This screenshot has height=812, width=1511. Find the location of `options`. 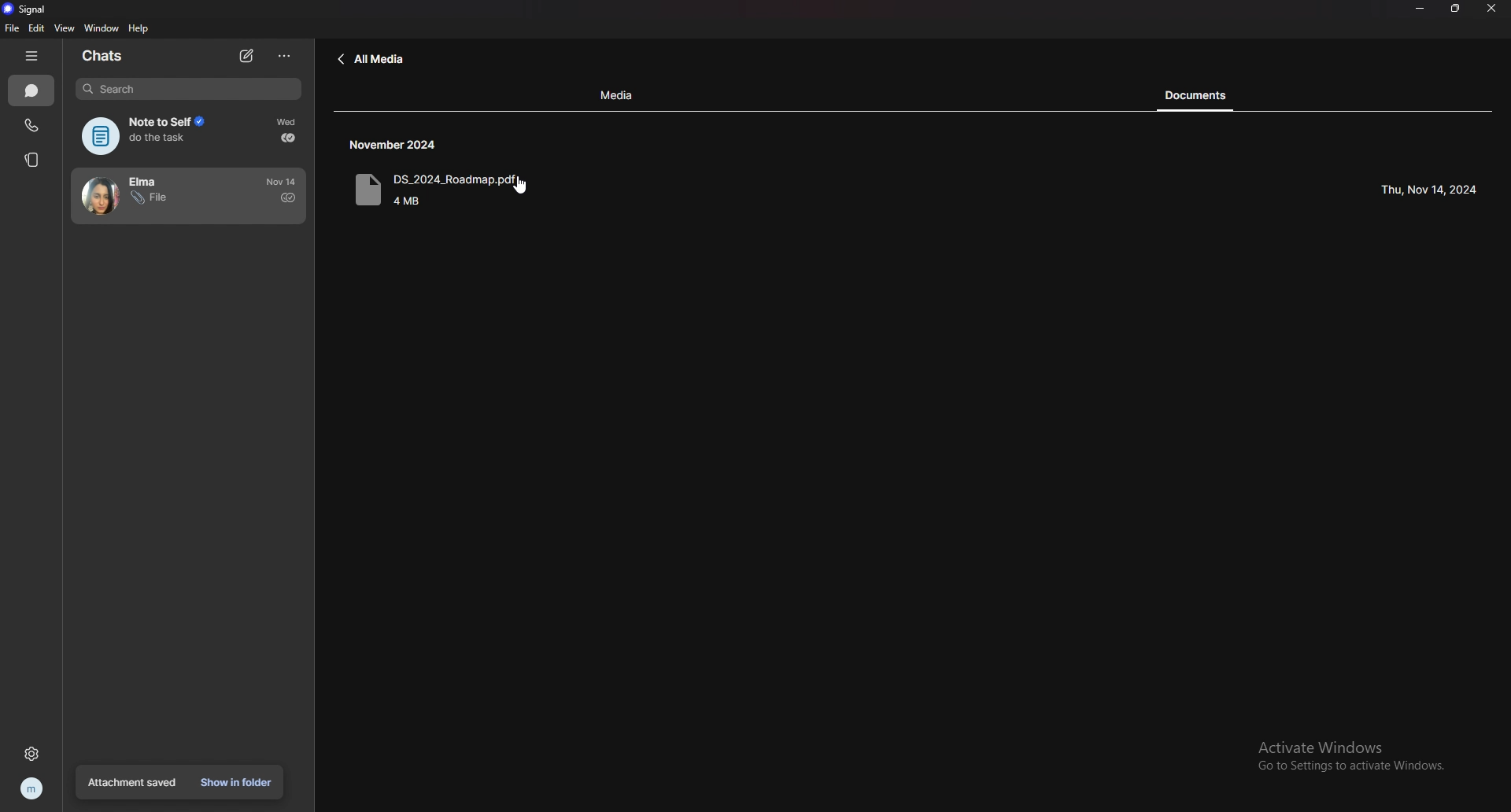

options is located at coordinates (286, 56).